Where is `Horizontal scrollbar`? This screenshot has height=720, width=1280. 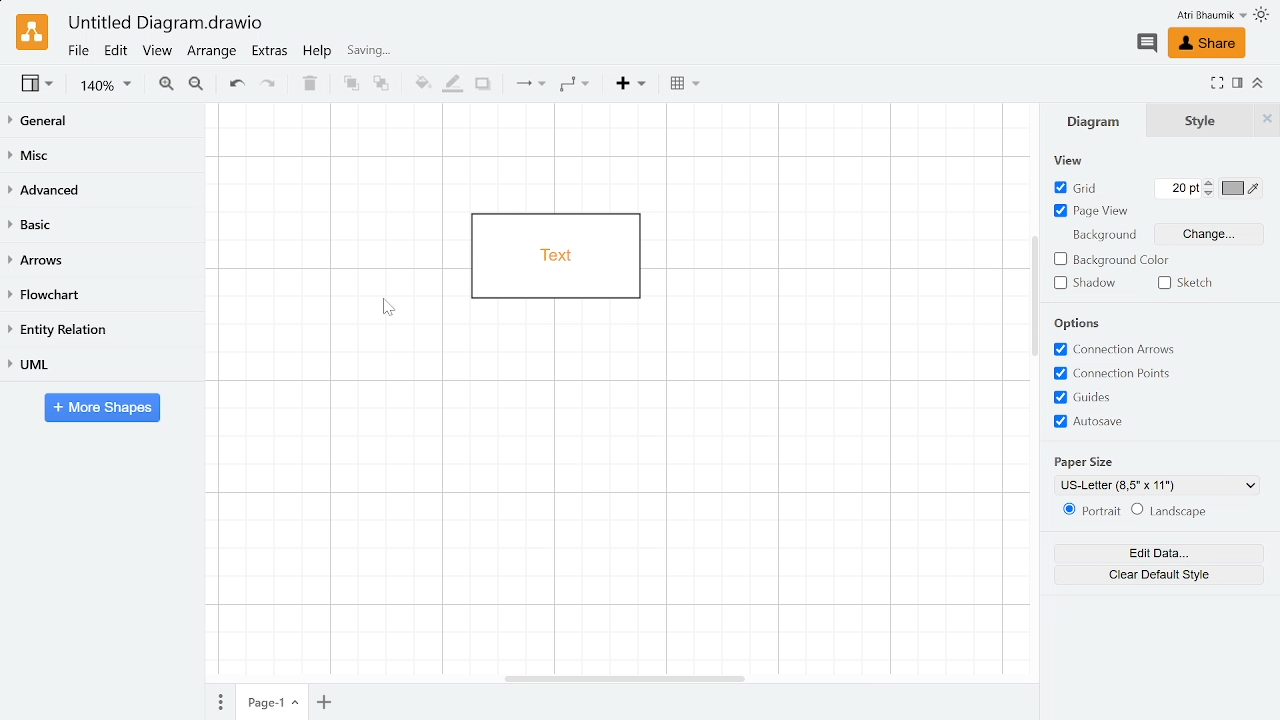 Horizontal scrollbar is located at coordinates (626, 677).